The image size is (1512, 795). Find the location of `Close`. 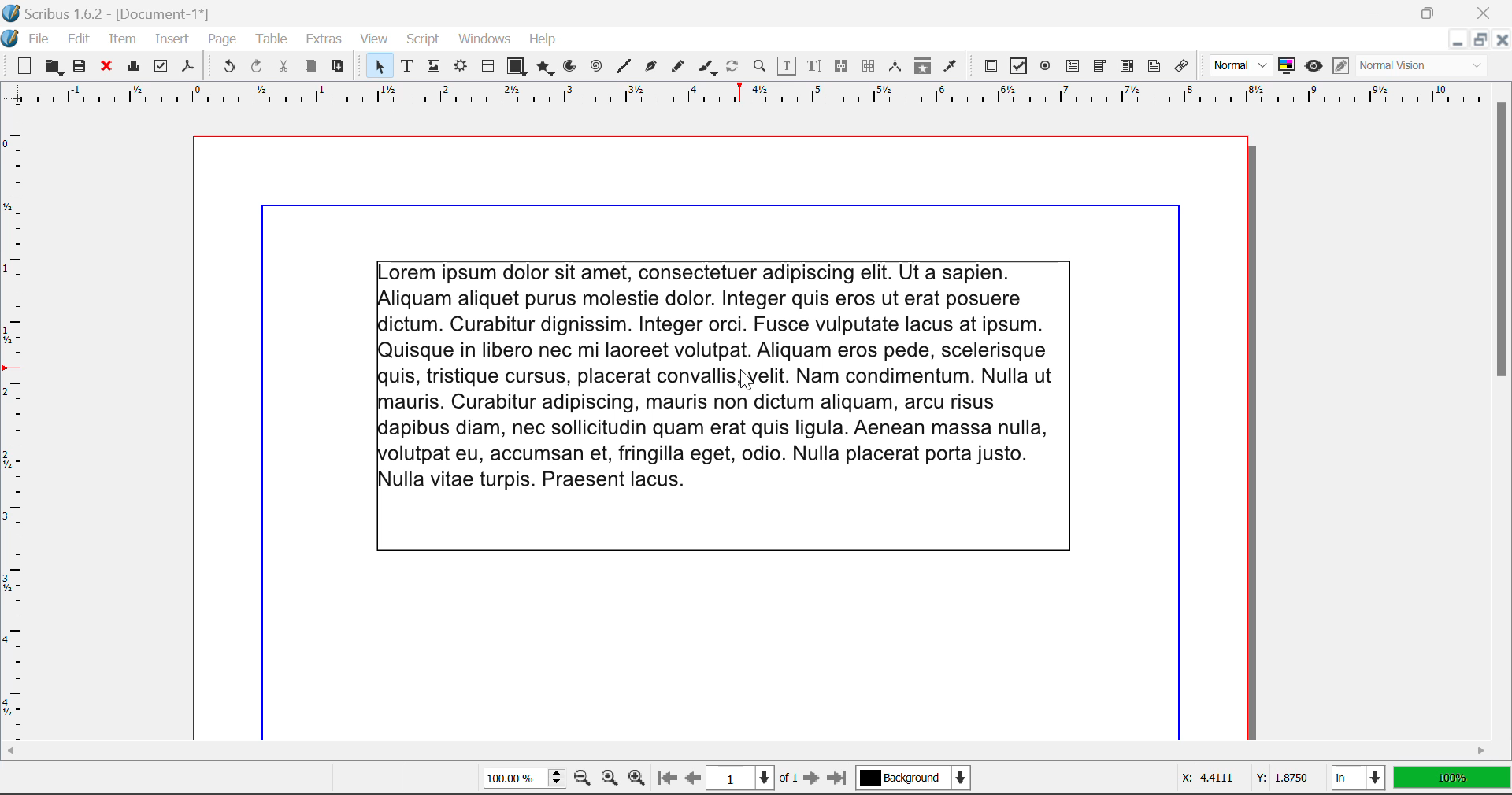

Close is located at coordinates (1501, 39).